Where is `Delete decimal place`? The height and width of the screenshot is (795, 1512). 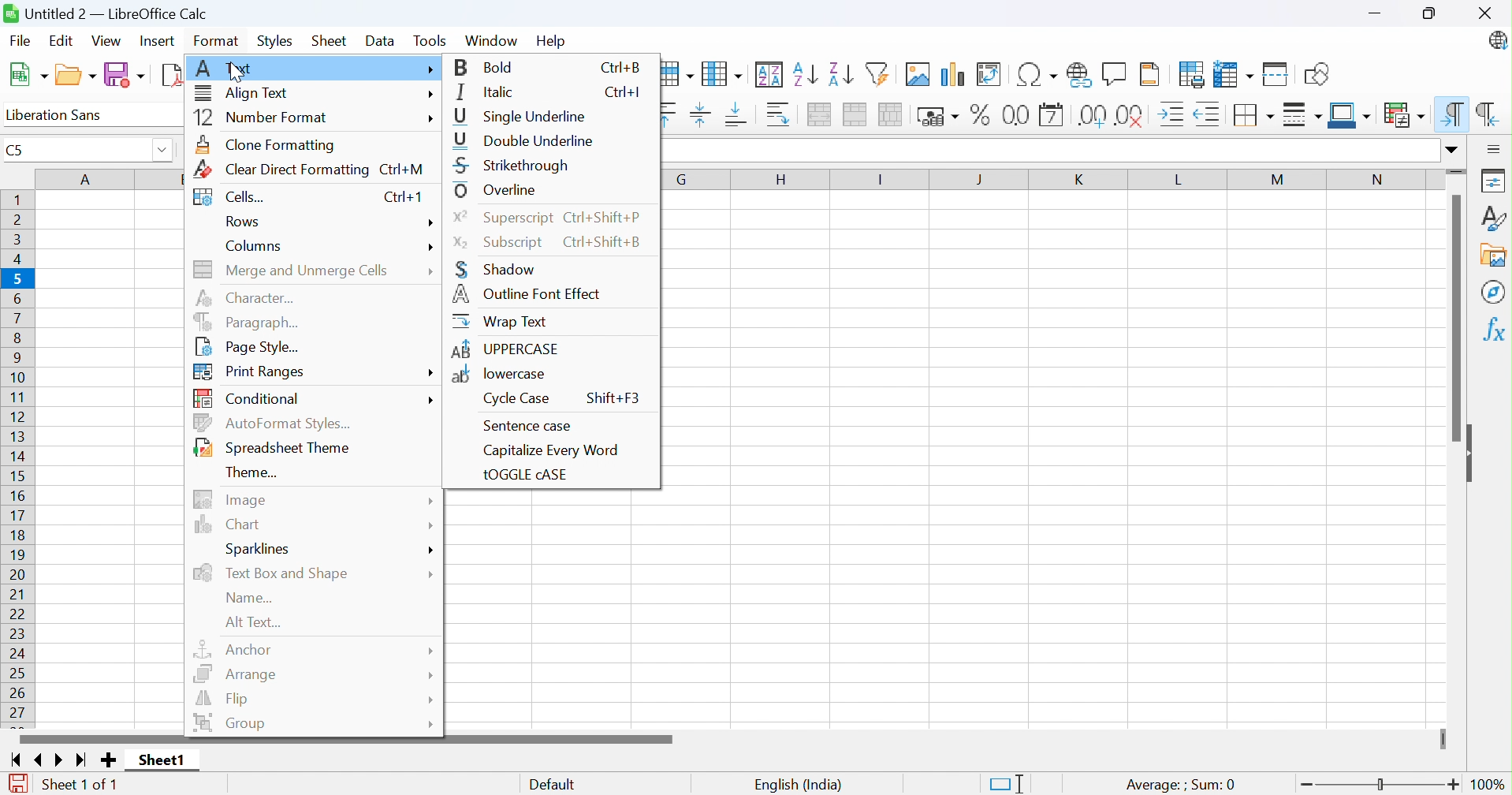
Delete decimal place is located at coordinates (1131, 118).